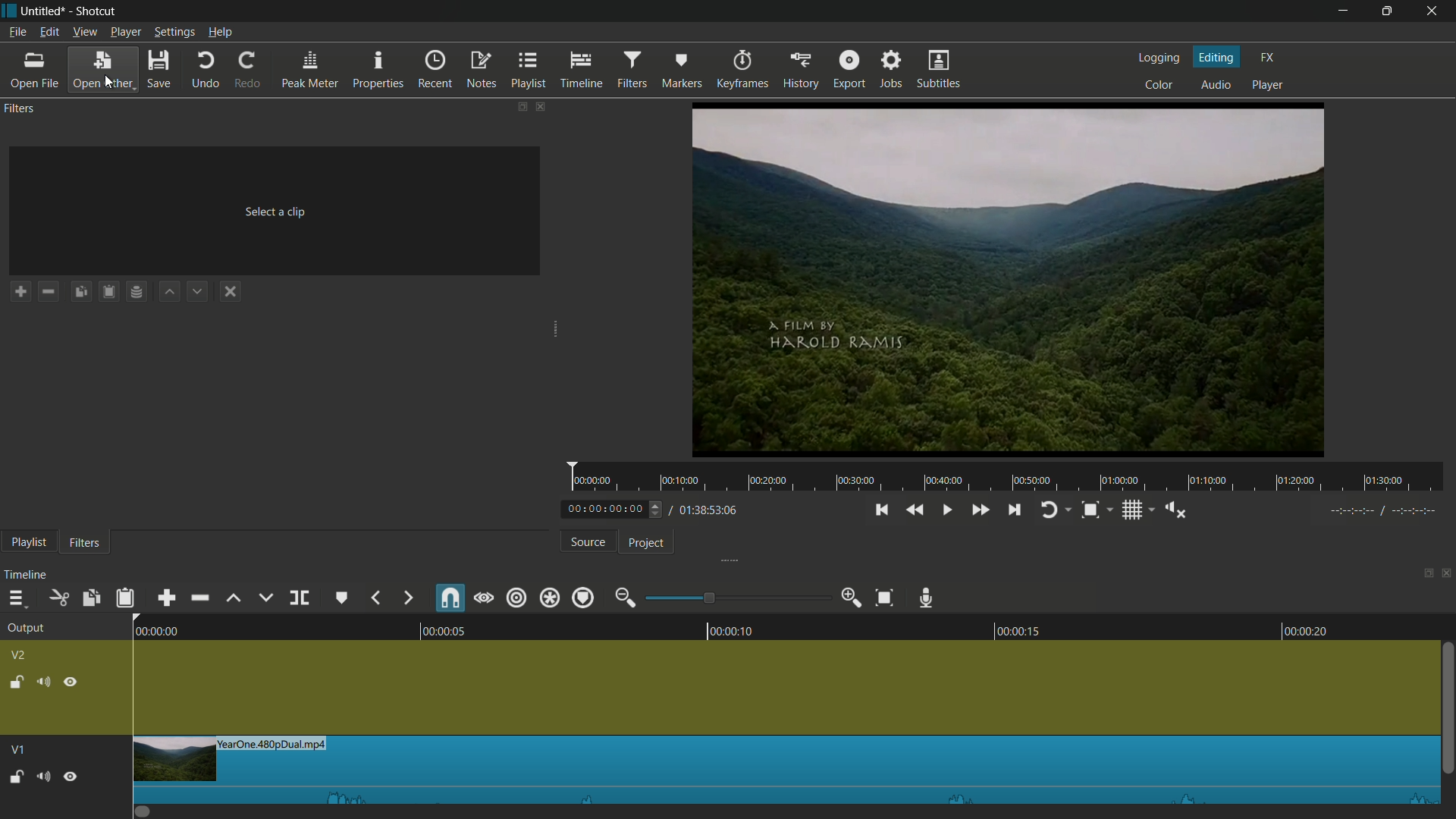 The width and height of the screenshot is (1456, 819). Describe the element at coordinates (49, 291) in the screenshot. I see `remove a filter` at that location.